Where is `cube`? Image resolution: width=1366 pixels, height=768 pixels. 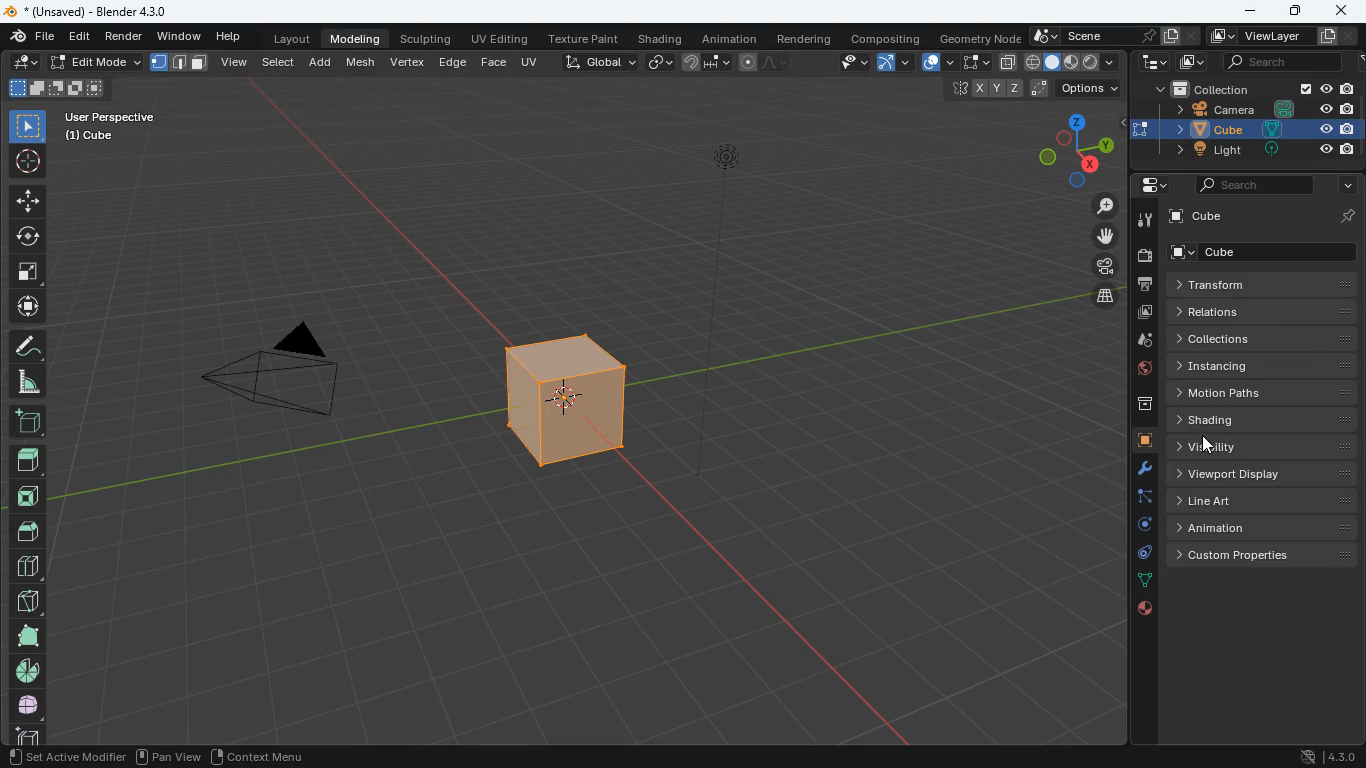
cube is located at coordinates (1257, 128).